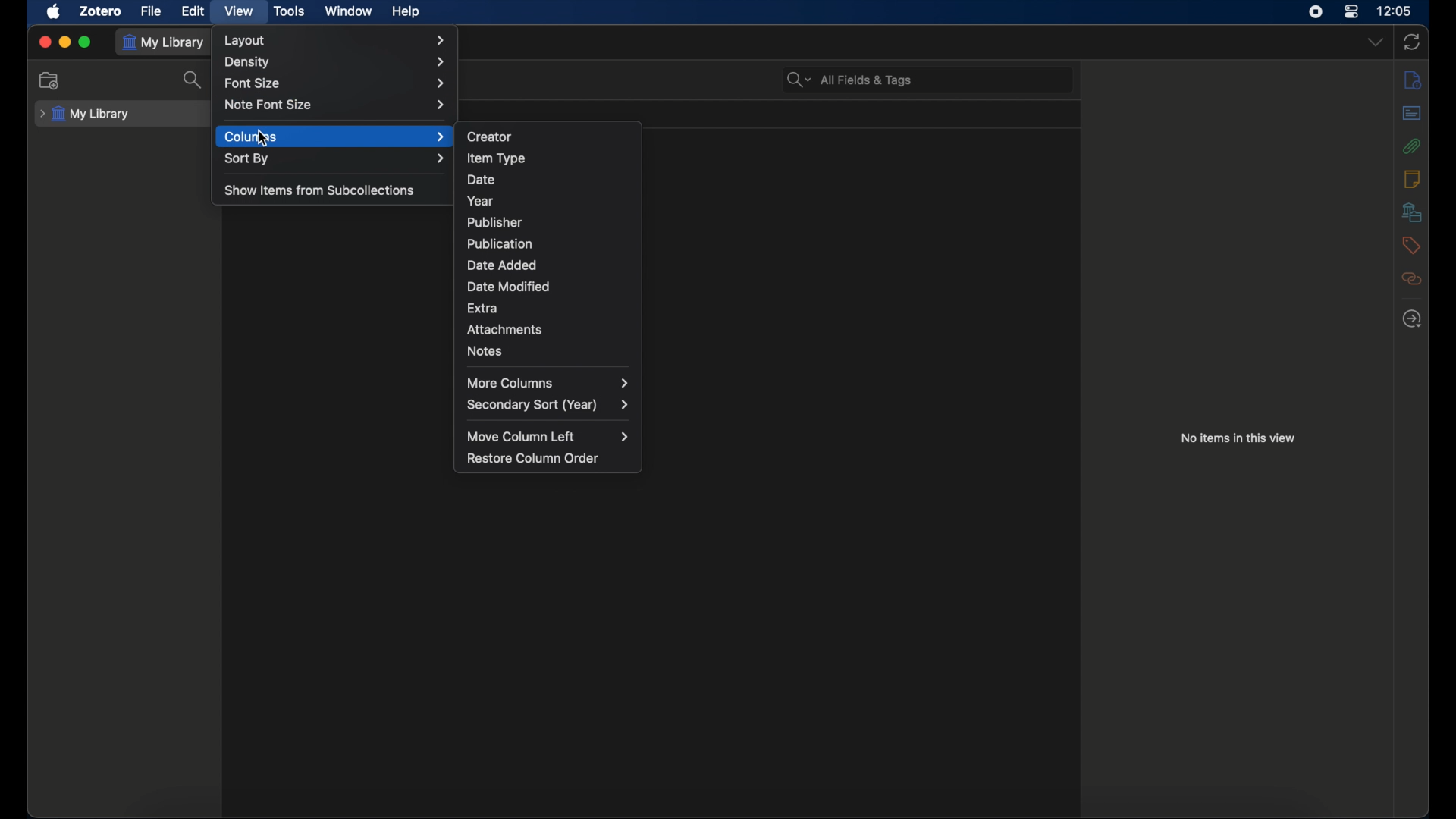 The width and height of the screenshot is (1456, 819). I want to click on my library, so click(164, 42).